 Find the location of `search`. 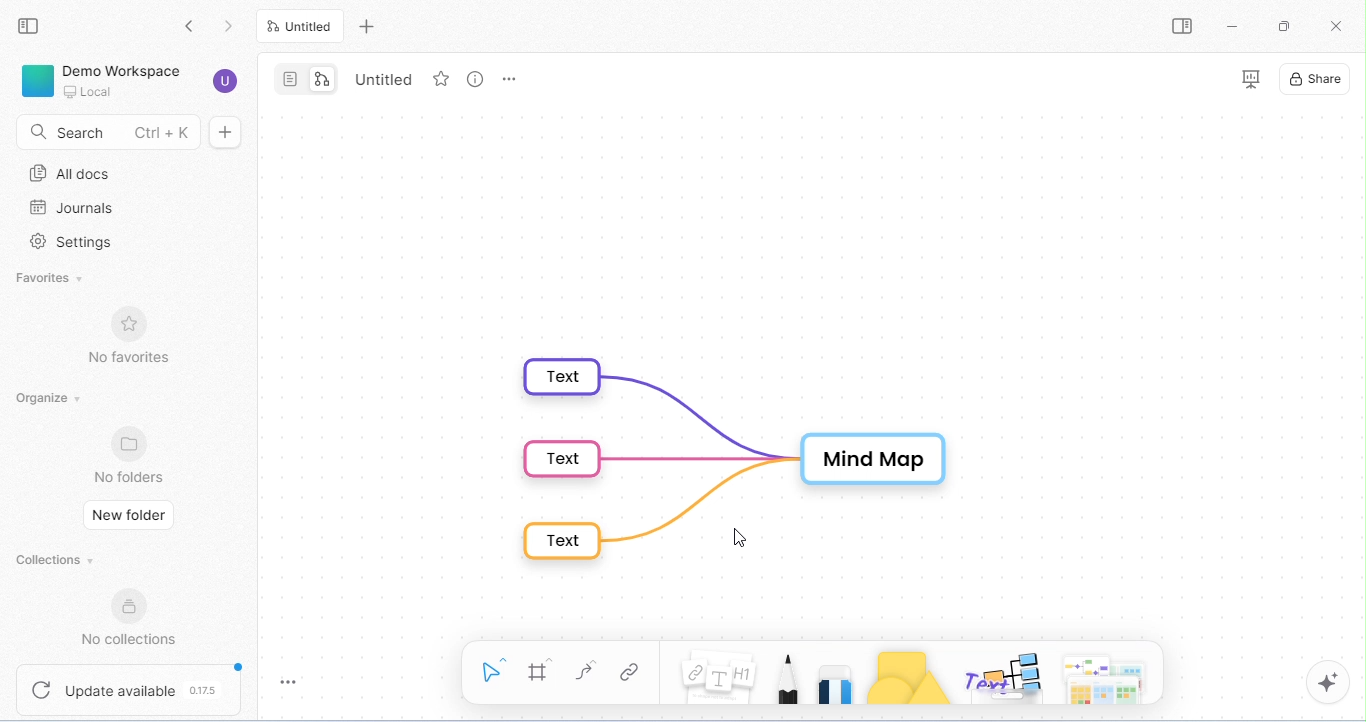

search is located at coordinates (104, 130).